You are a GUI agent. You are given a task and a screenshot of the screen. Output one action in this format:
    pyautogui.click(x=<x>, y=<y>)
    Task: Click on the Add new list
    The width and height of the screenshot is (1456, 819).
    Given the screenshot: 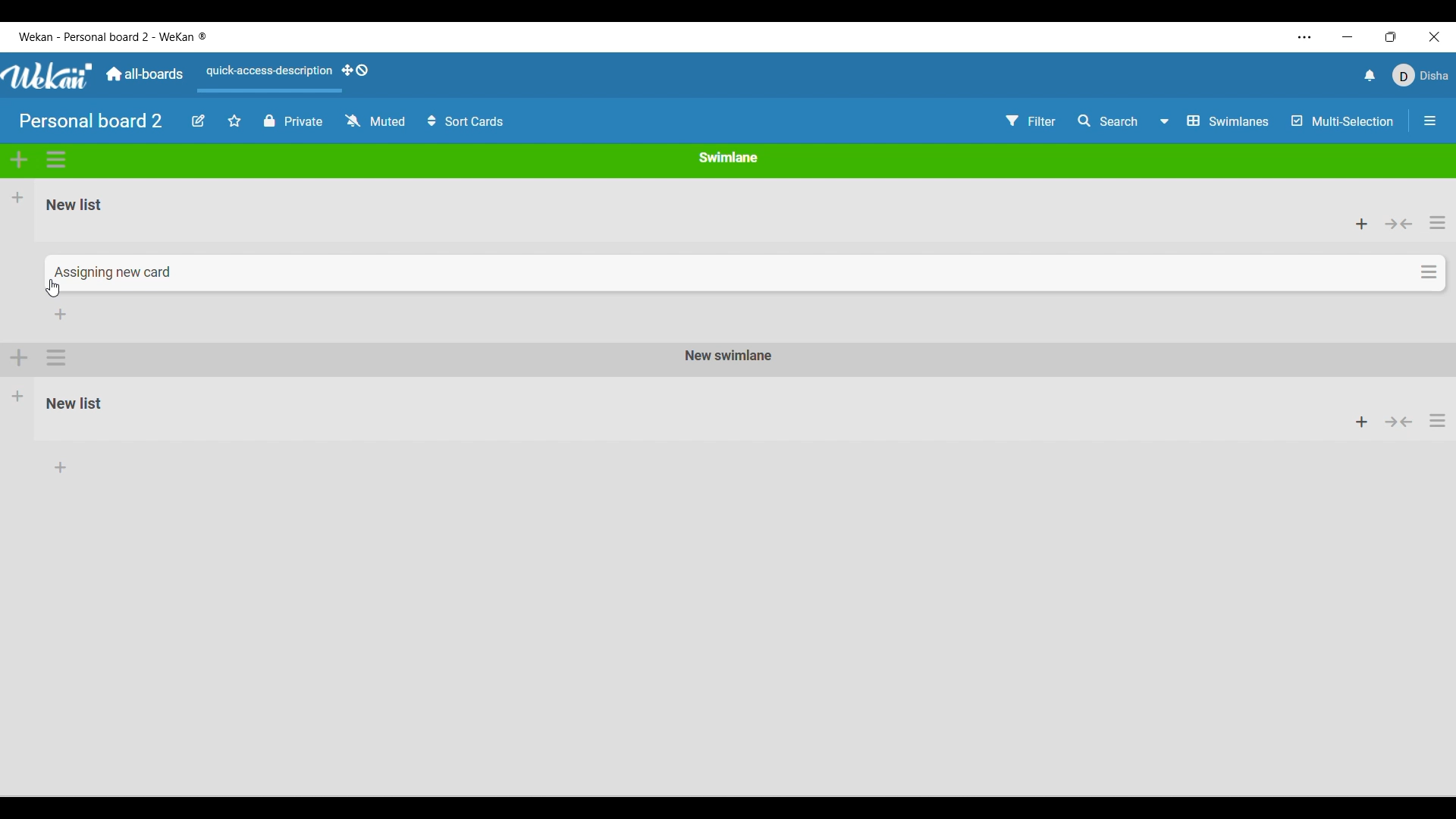 What is the action you would take?
    pyautogui.click(x=17, y=197)
    